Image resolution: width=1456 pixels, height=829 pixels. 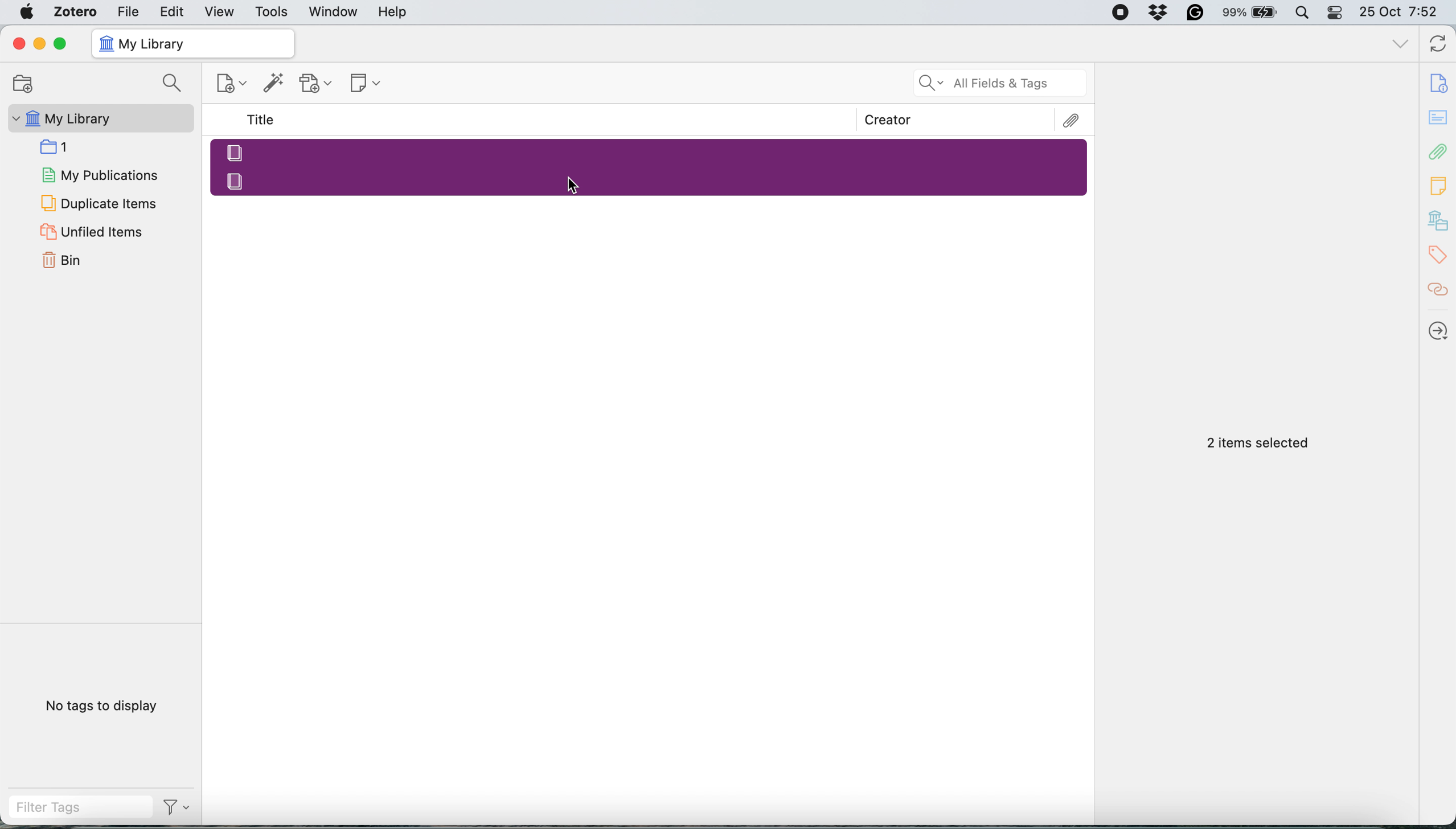 I want to click on Blank Entry 2 Selected, so click(x=651, y=180).